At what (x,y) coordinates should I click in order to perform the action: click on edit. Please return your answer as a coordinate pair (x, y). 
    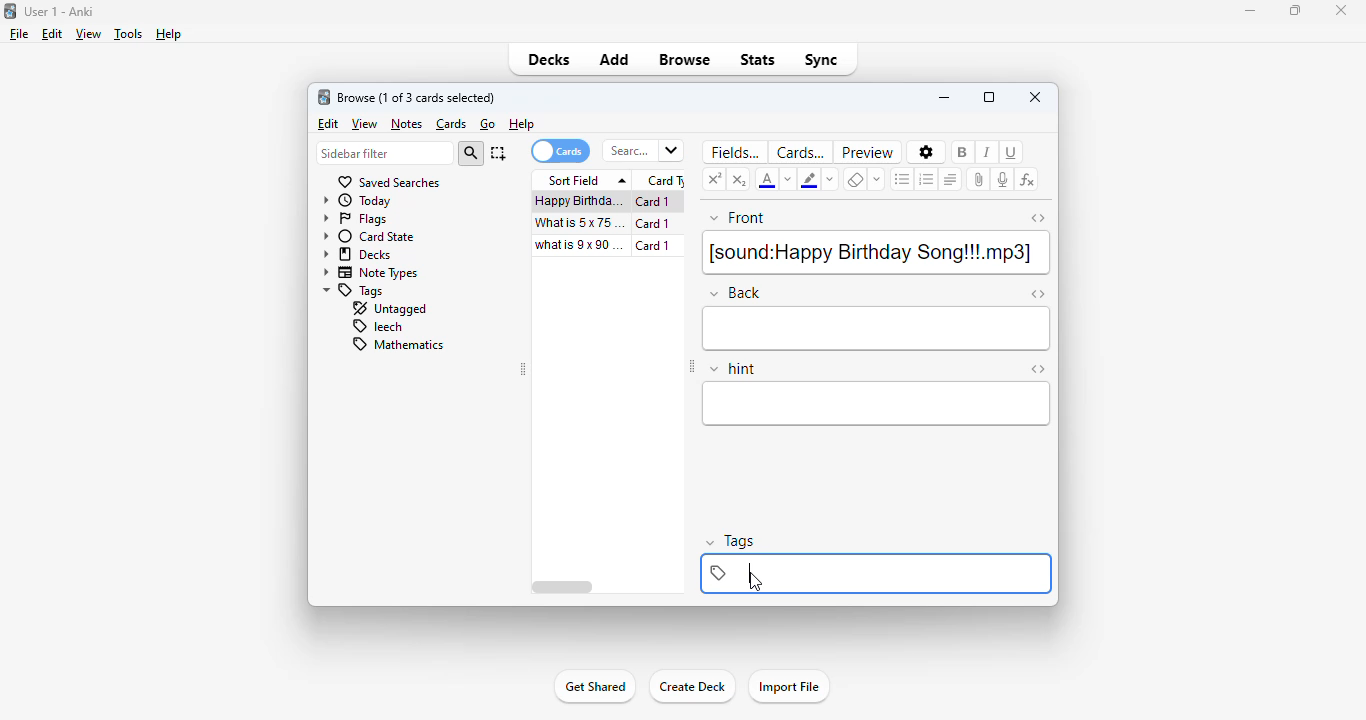
    Looking at the image, I should click on (52, 34).